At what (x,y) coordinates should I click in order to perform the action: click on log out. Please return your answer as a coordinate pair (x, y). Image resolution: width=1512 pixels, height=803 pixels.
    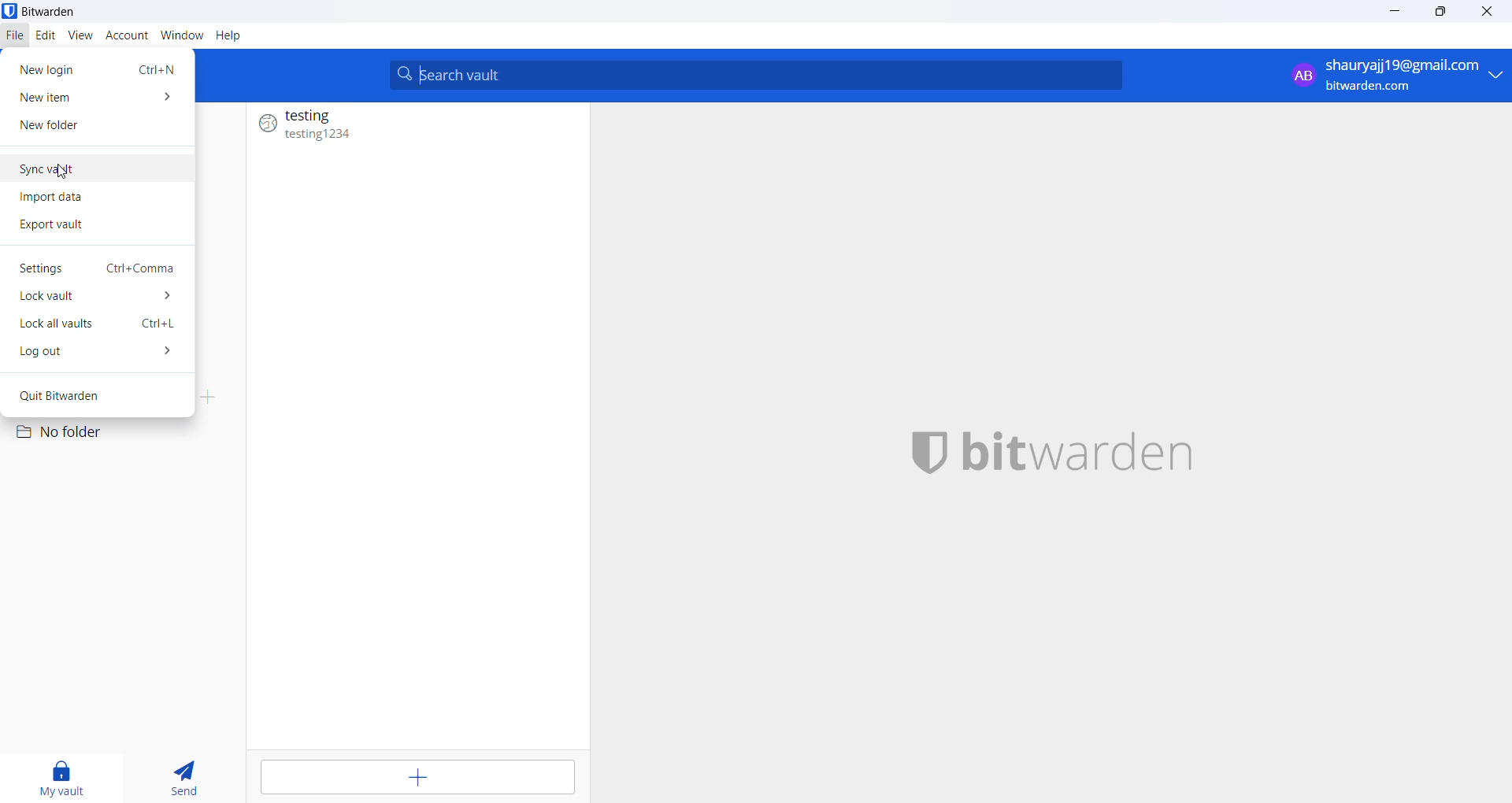
    Looking at the image, I should click on (106, 356).